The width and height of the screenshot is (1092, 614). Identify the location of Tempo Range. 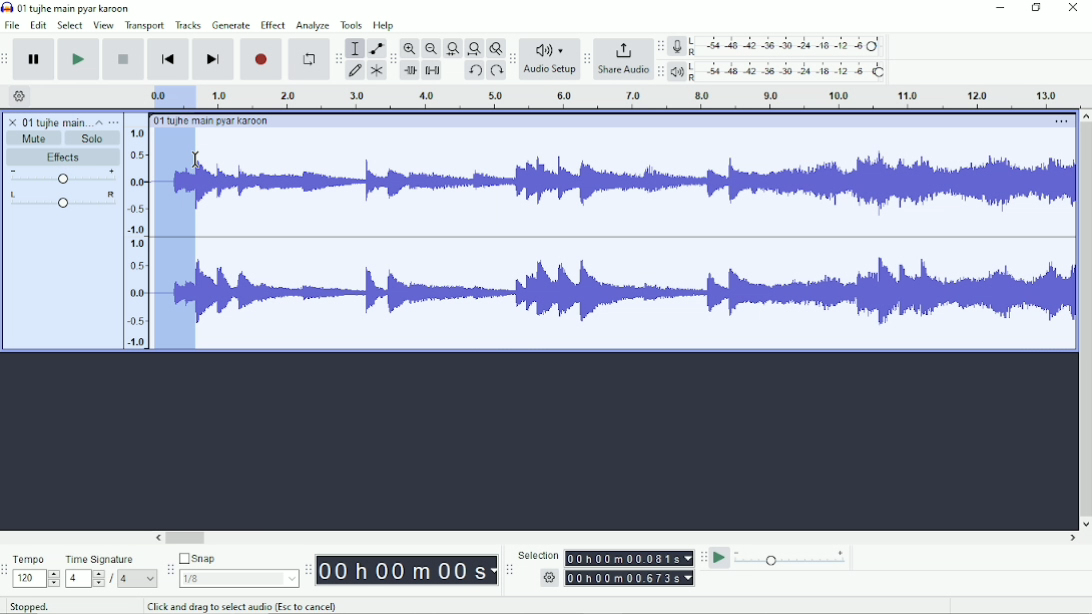
(36, 578).